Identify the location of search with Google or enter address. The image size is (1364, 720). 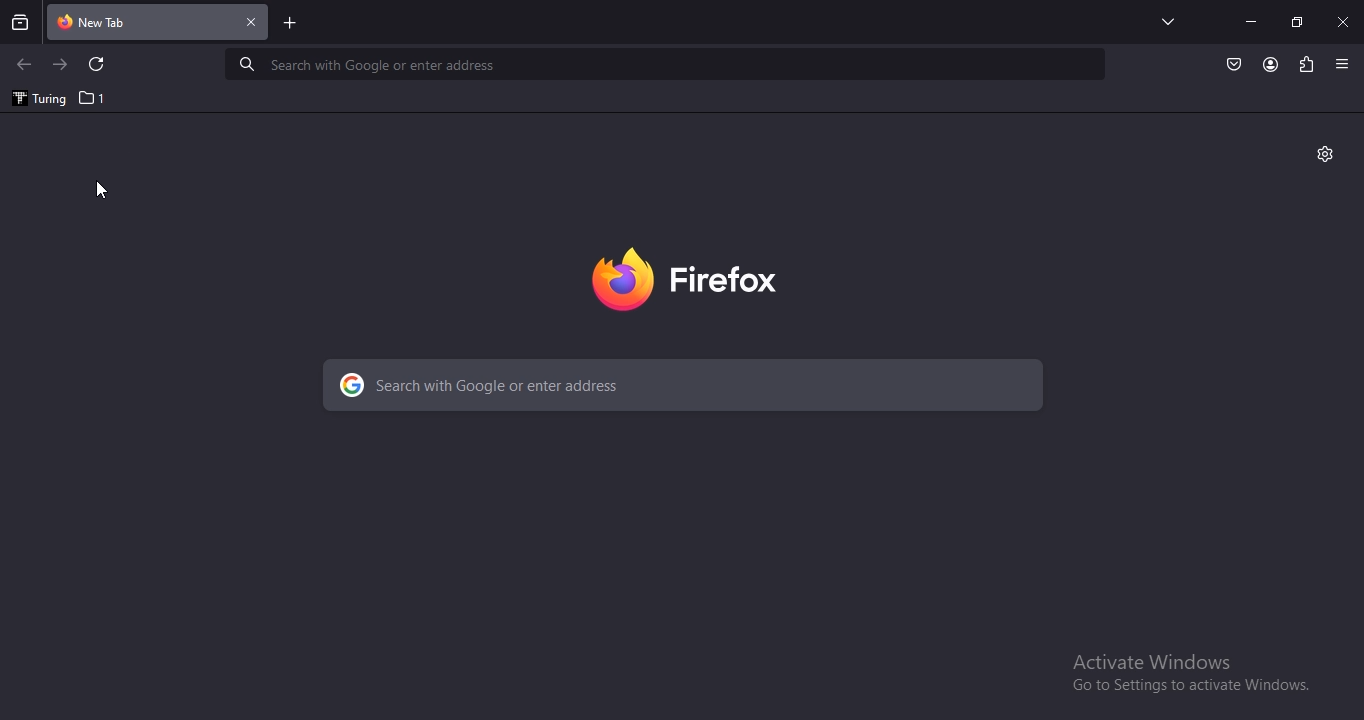
(567, 382).